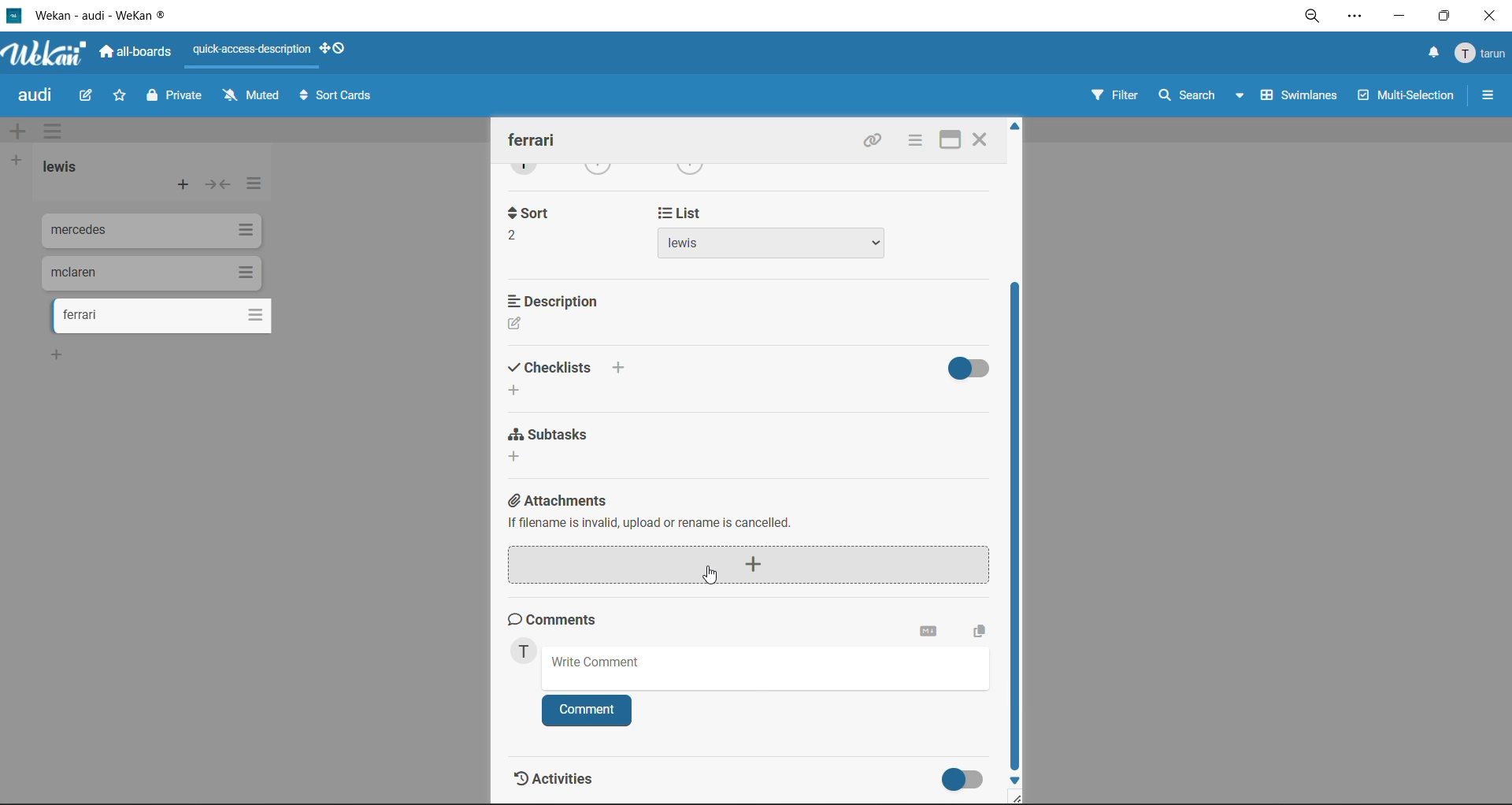 Image resolution: width=1512 pixels, height=805 pixels. Describe the element at coordinates (770, 239) in the screenshot. I see `list` at that location.